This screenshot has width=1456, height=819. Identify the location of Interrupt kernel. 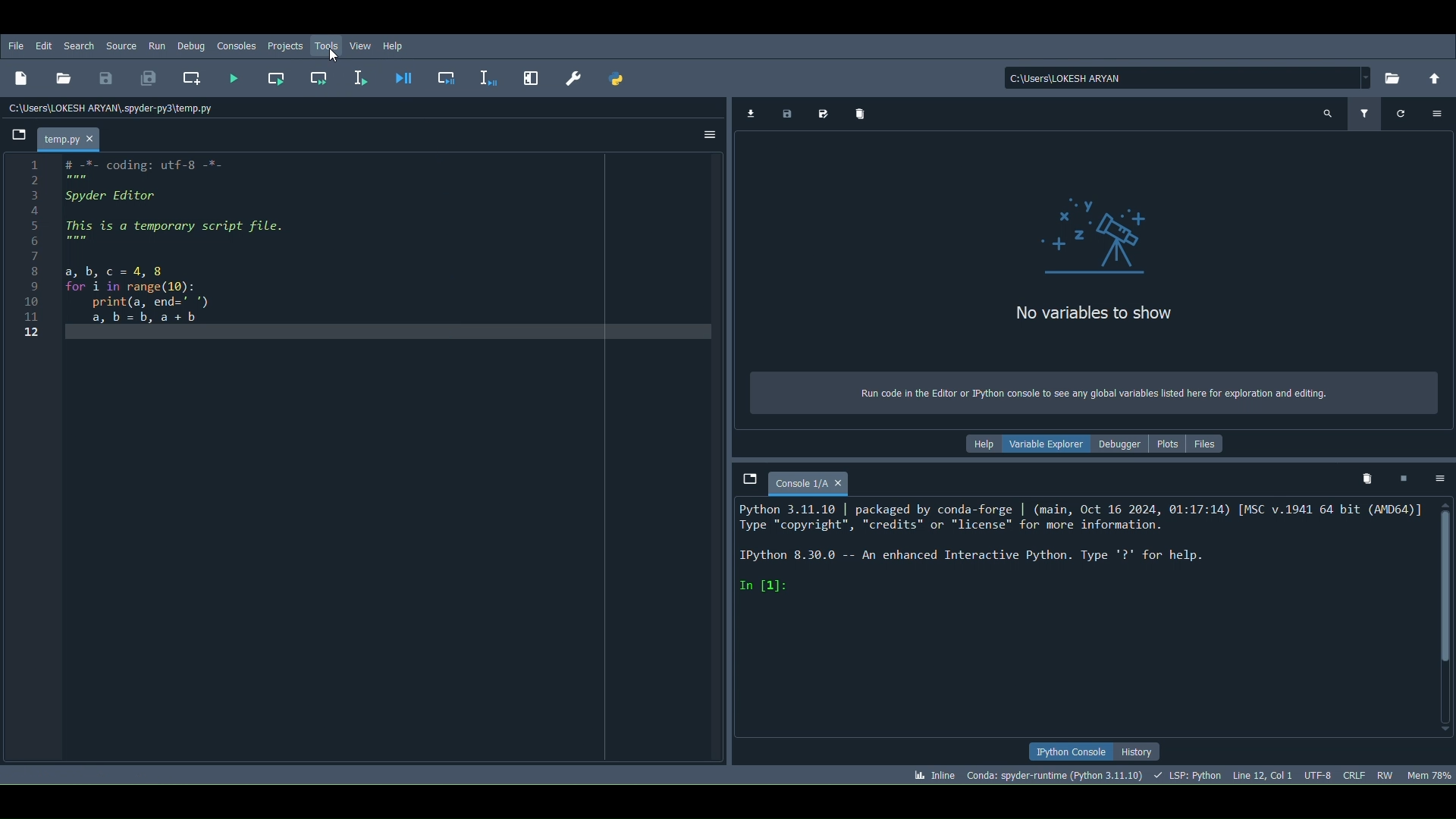
(1402, 477).